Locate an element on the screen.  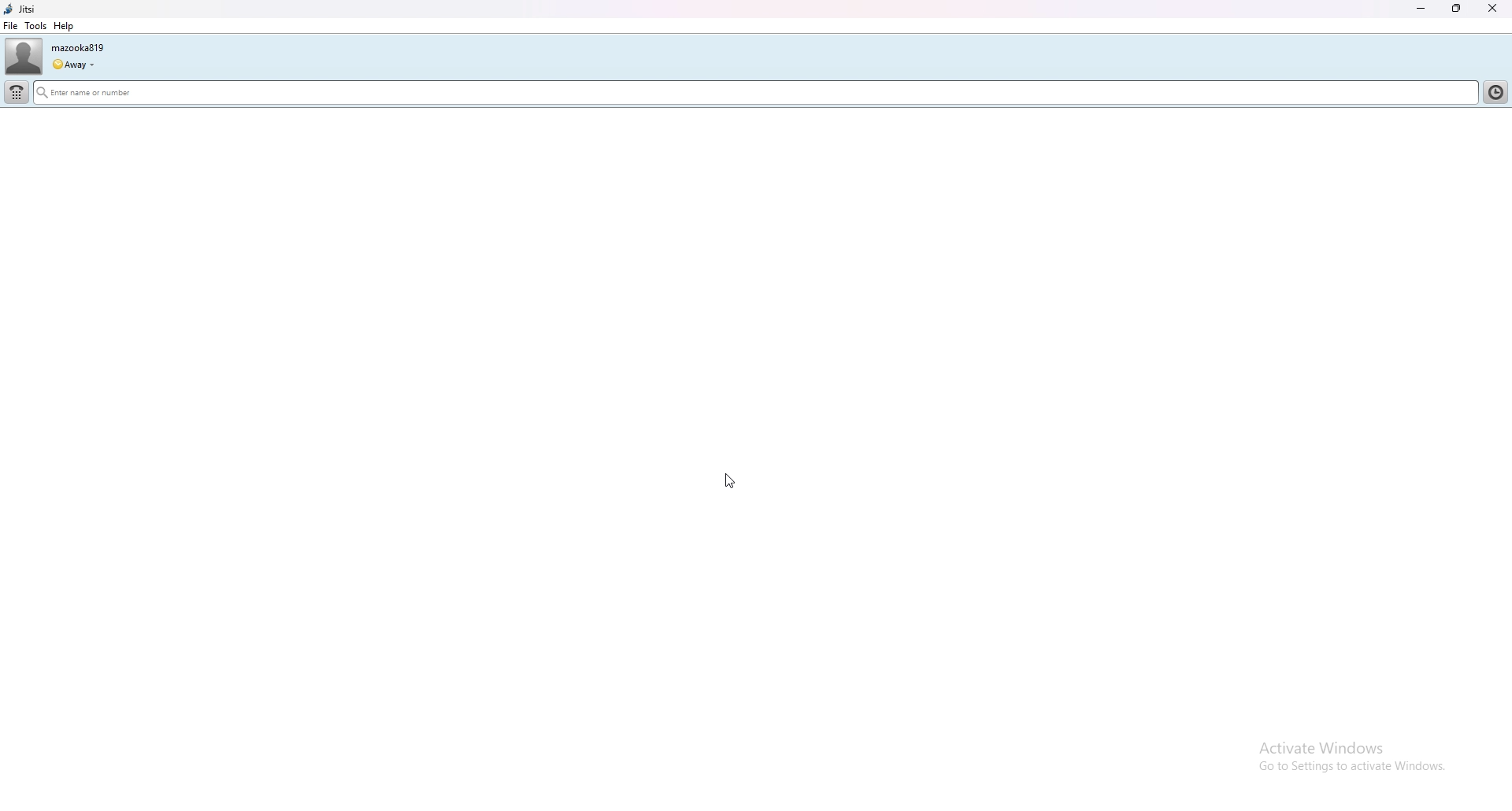
file is located at coordinates (11, 26).